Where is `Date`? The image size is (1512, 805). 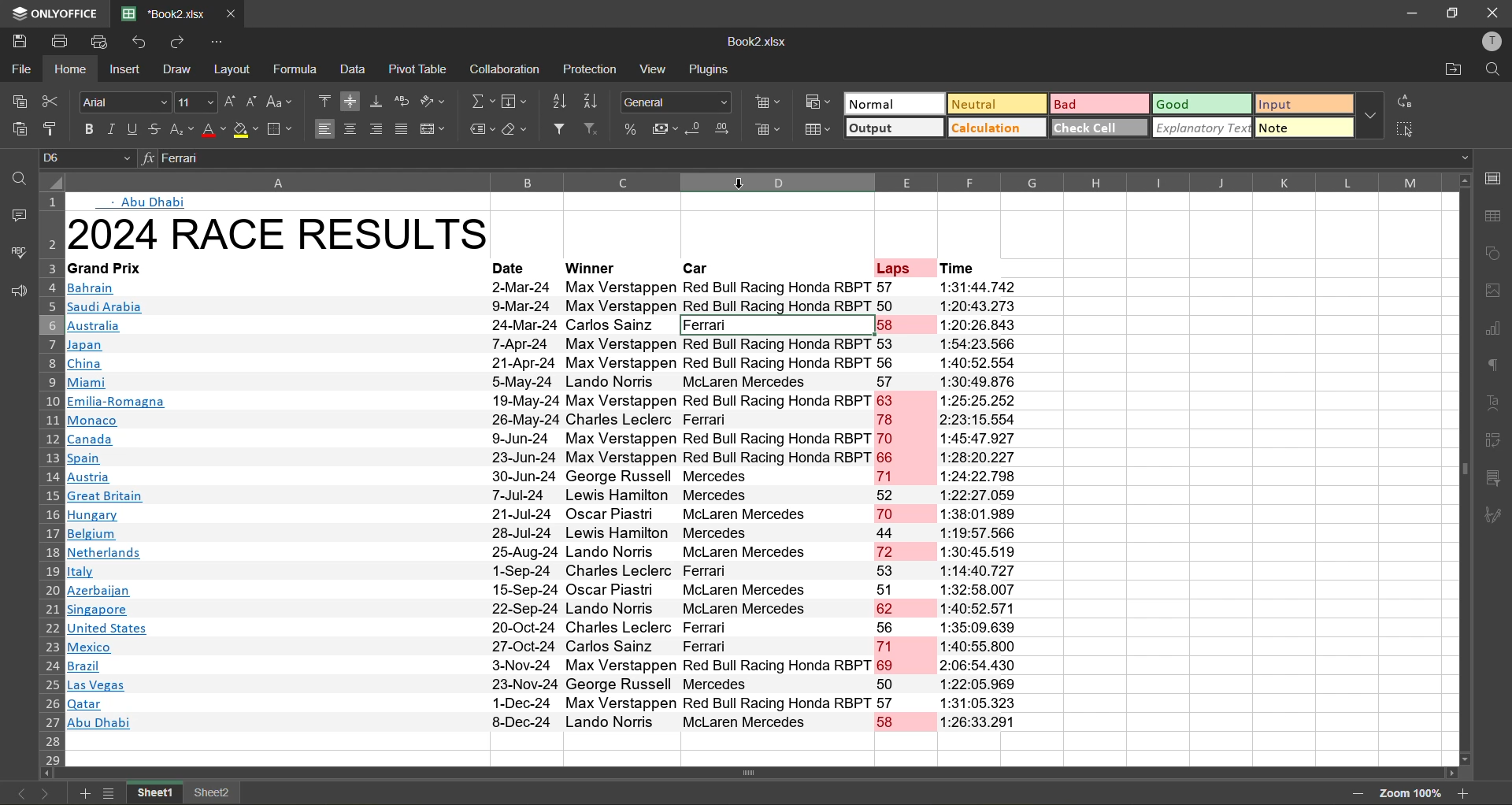
Date is located at coordinates (509, 269).